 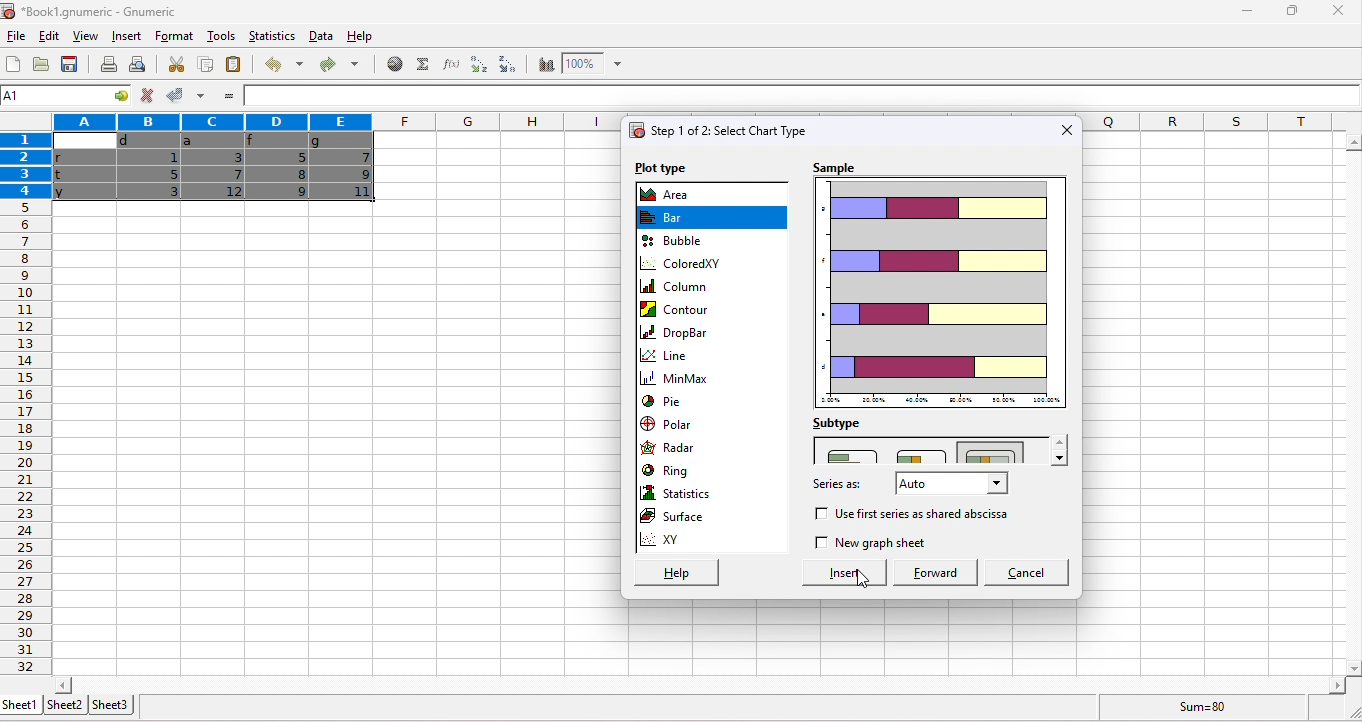 I want to click on minmax, so click(x=678, y=380).